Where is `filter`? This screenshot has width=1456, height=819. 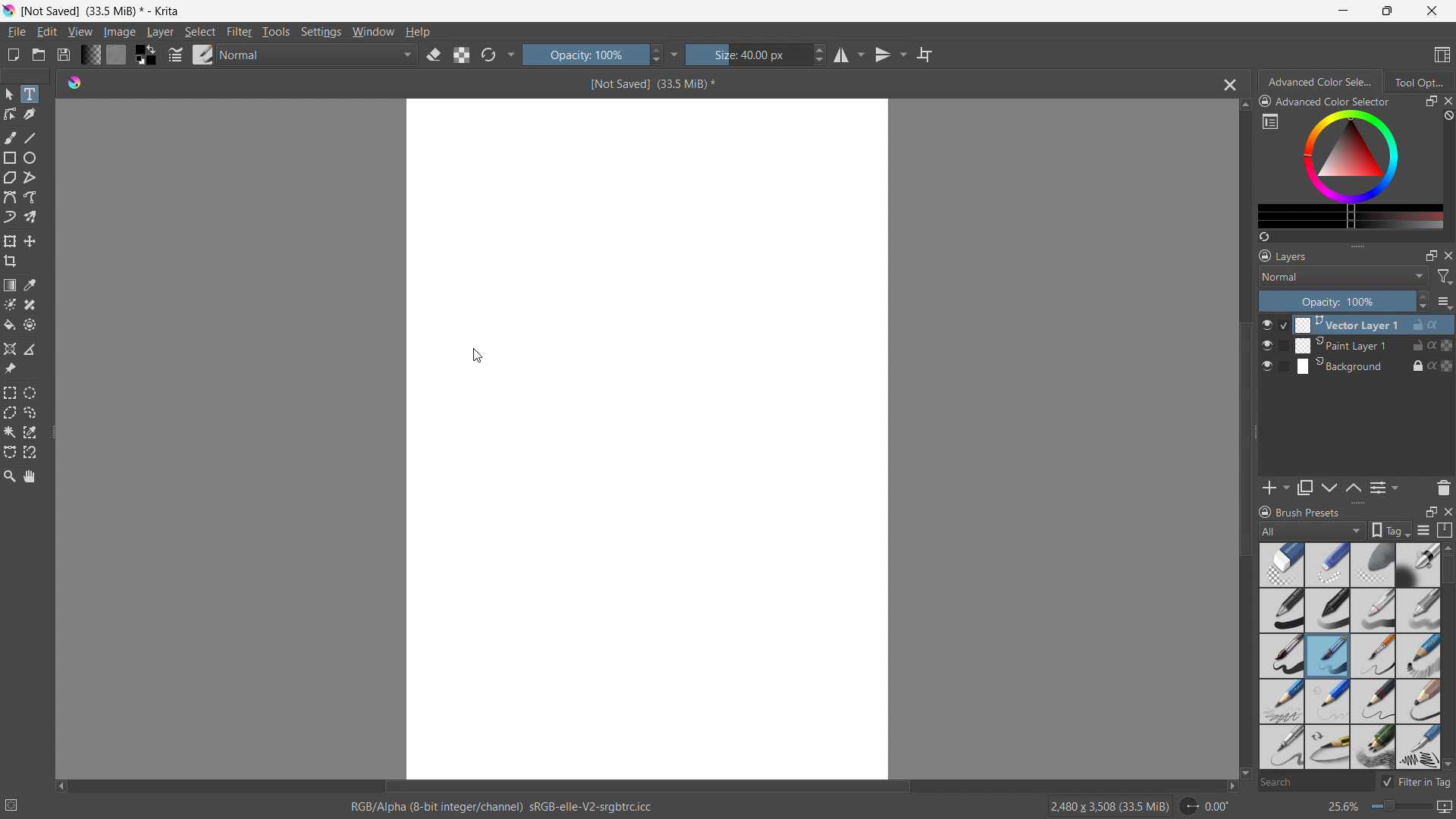 filter is located at coordinates (240, 32).